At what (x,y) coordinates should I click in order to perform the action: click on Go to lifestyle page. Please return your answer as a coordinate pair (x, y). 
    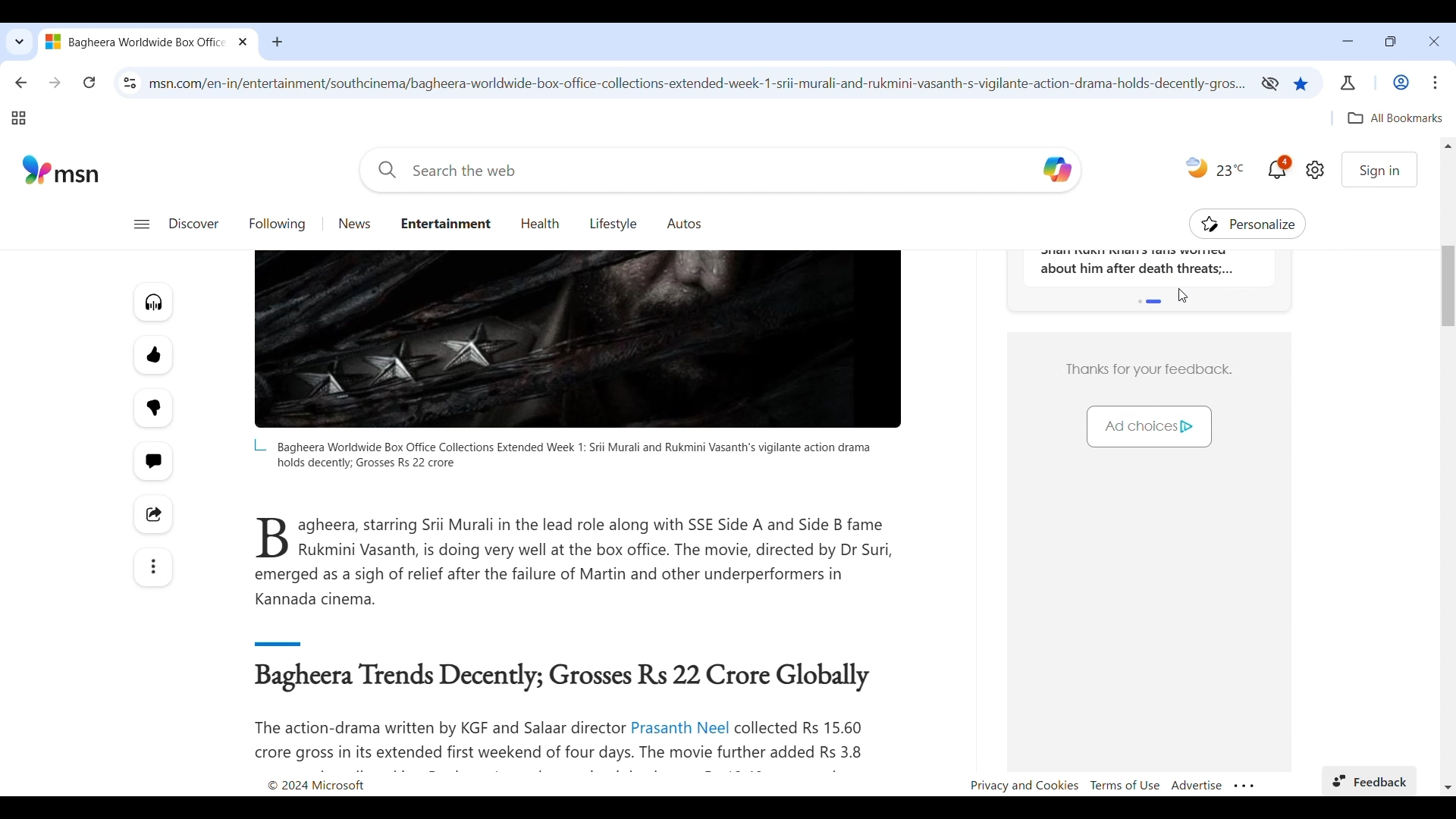
    Looking at the image, I should click on (613, 223).